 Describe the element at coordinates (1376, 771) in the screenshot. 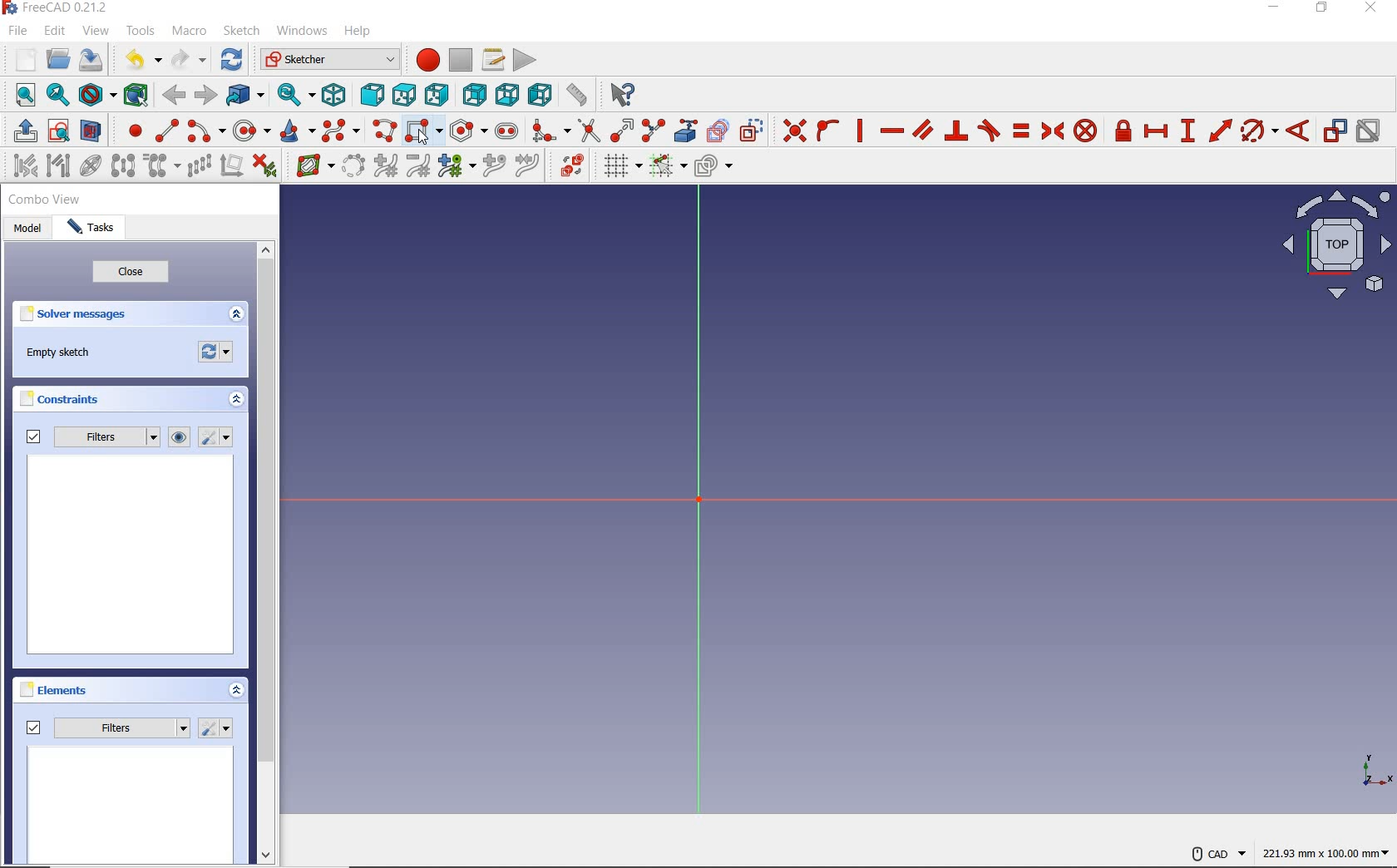

I see `XYZ SCALE` at that location.